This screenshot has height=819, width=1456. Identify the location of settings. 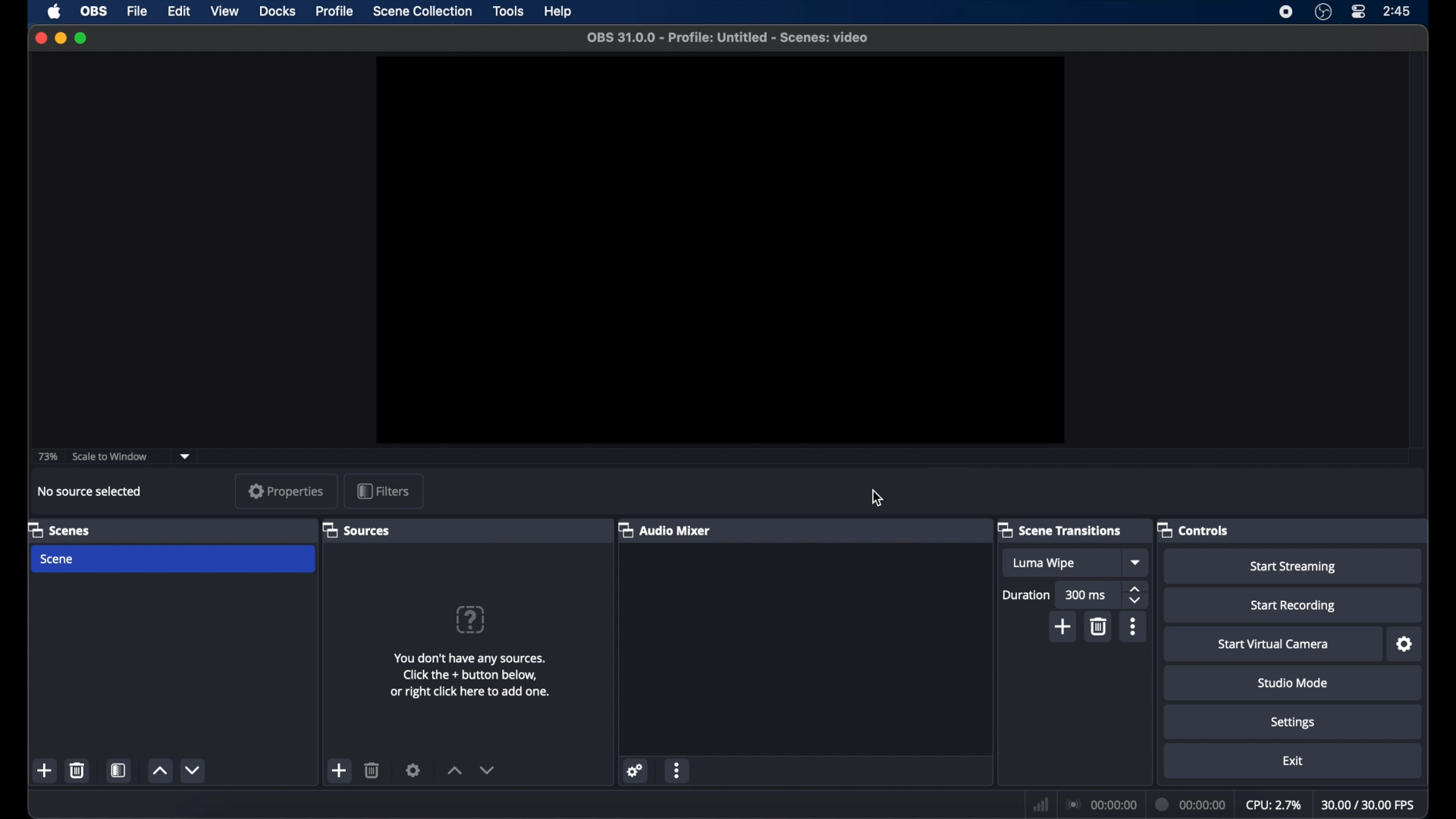
(635, 771).